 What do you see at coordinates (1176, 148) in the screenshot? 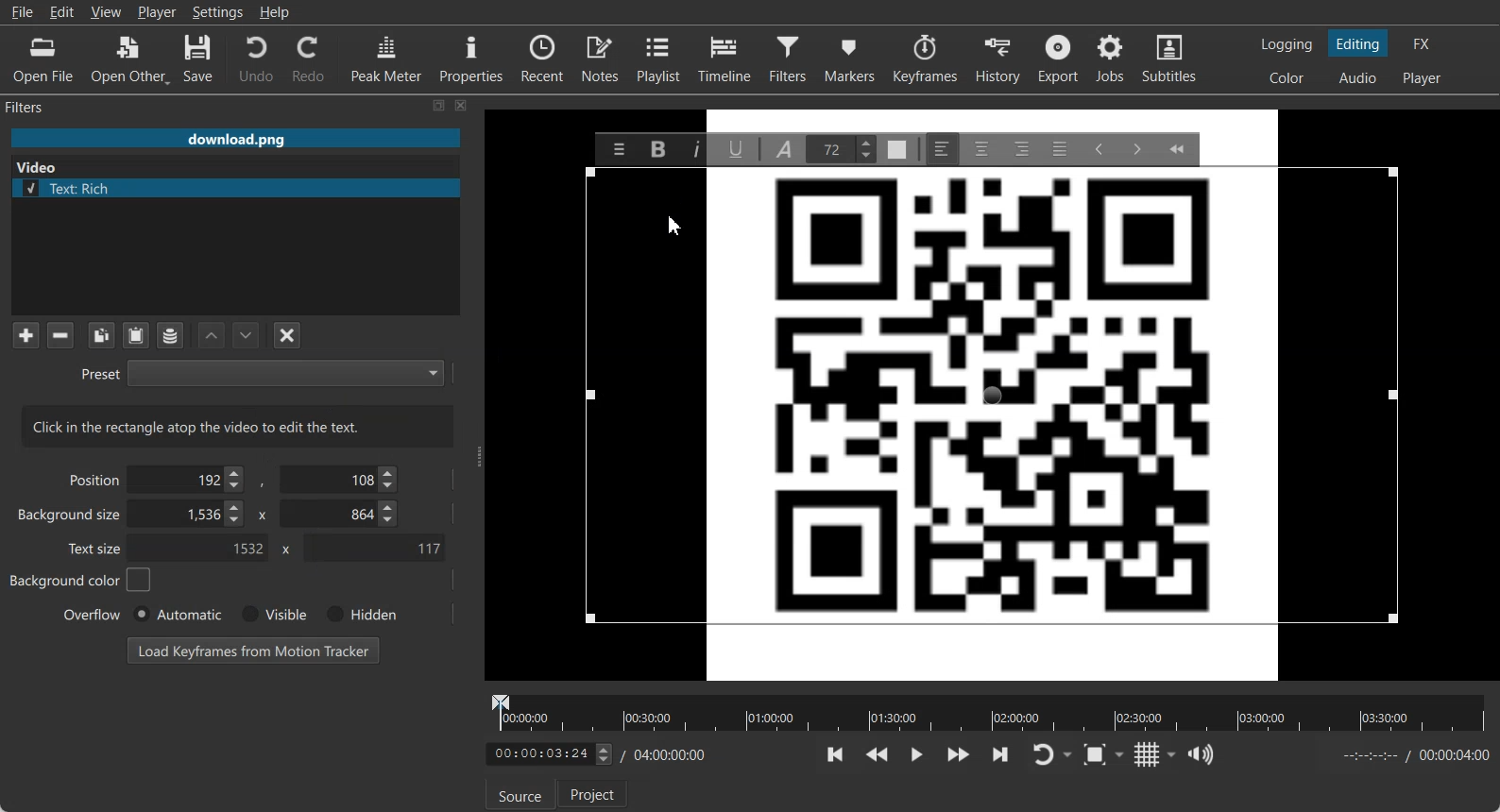
I see `Collapse Toolbar` at bounding box center [1176, 148].